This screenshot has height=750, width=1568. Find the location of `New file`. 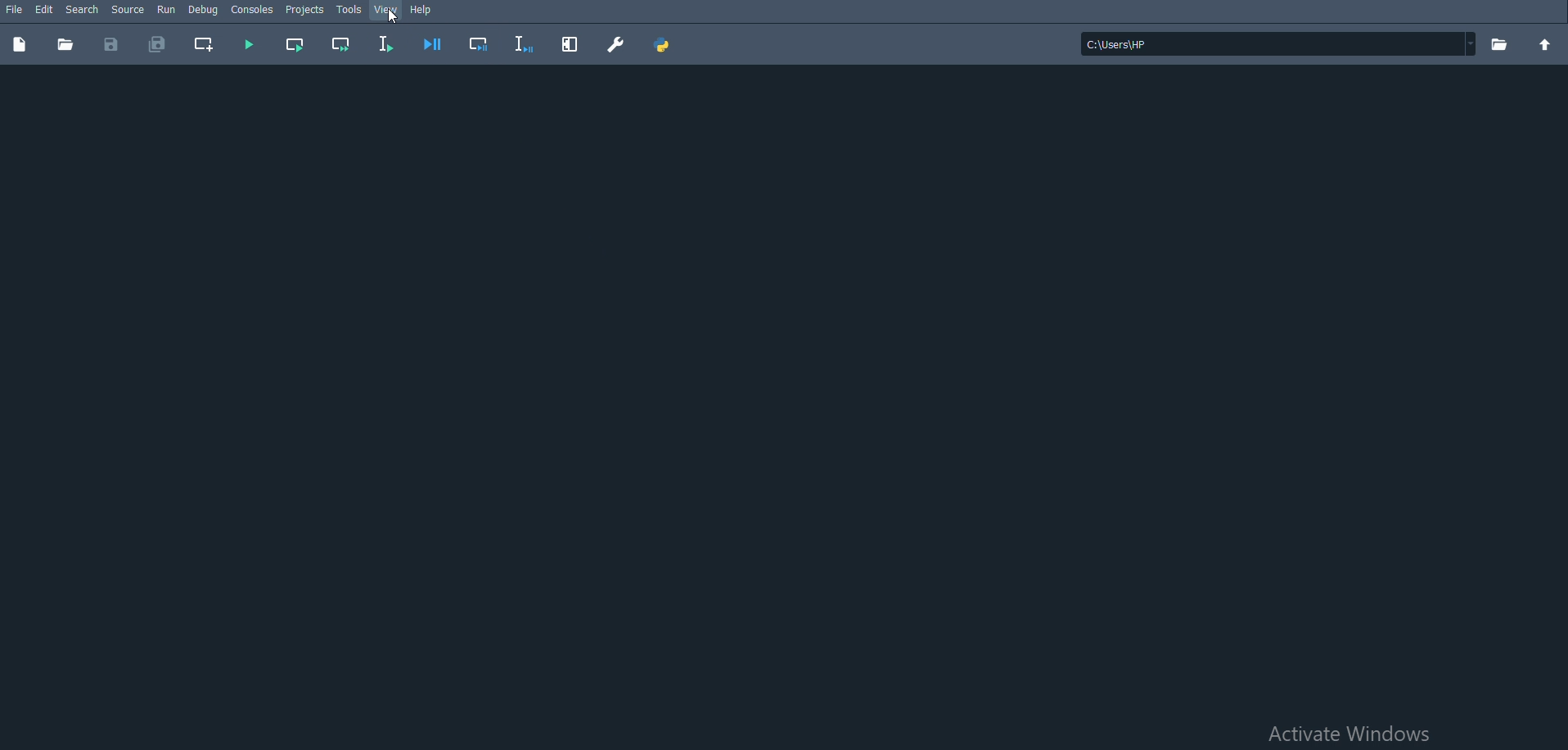

New file is located at coordinates (19, 44).